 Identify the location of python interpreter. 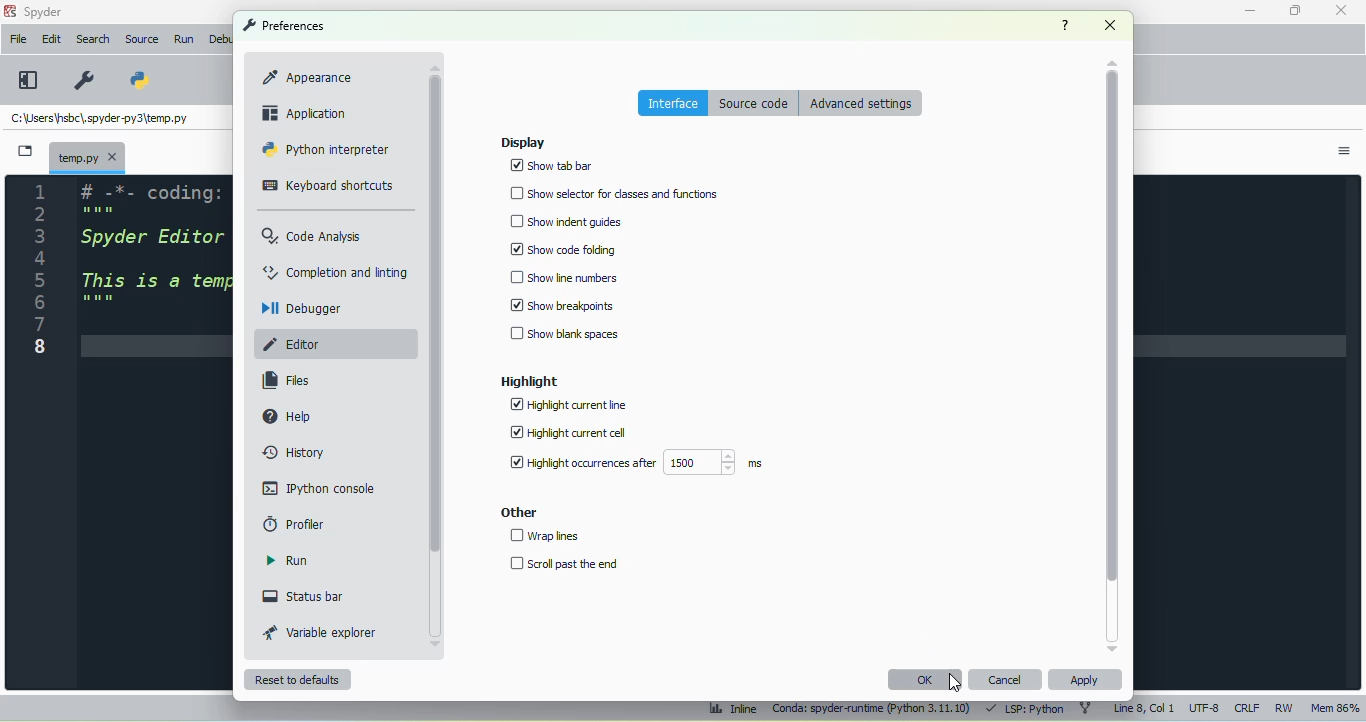
(325, 149).